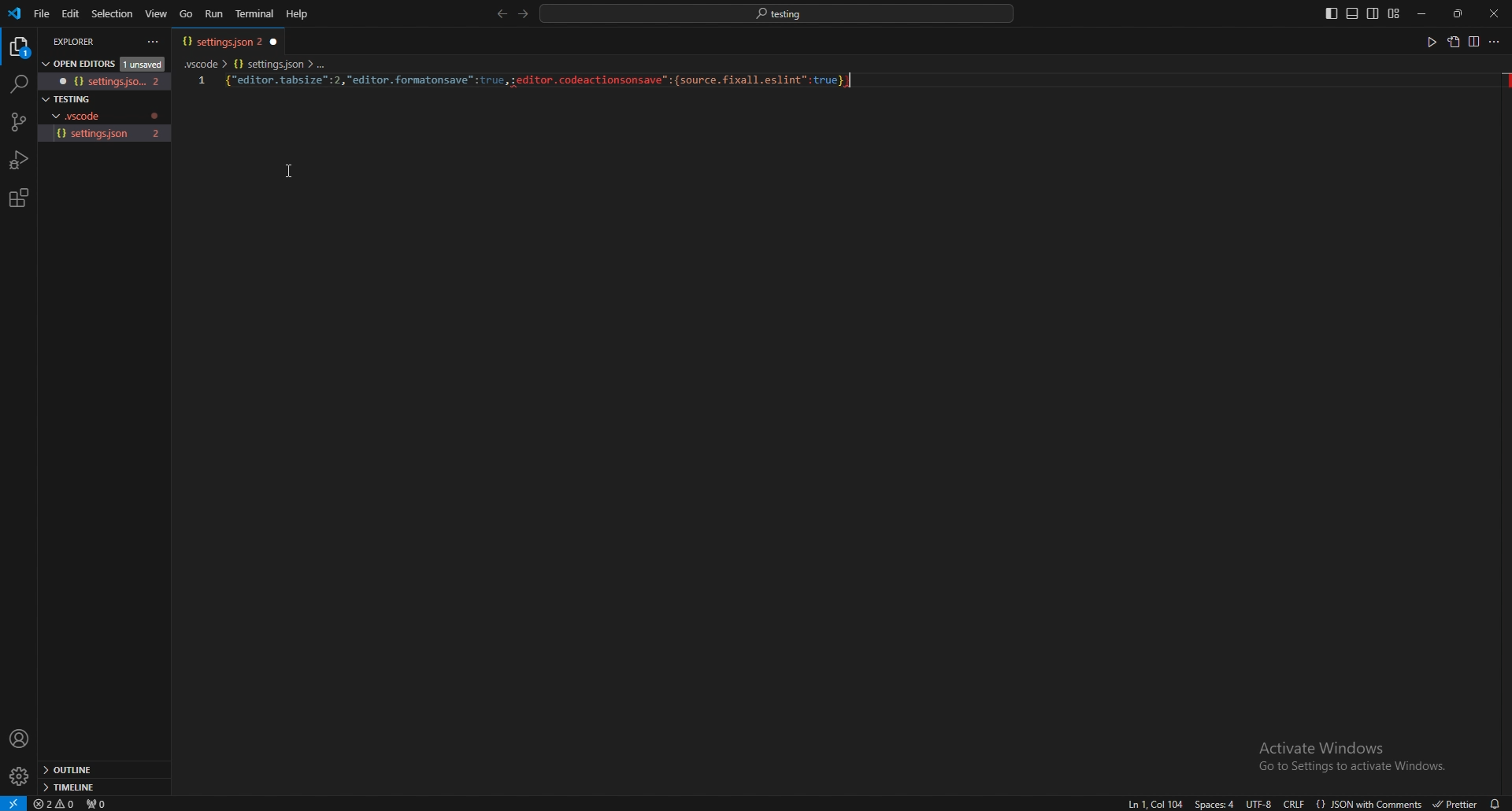 The width and height of the screenshot is (1512, 811). Describe the element at coordinates (291, 169) in the screenshot. I see `cursor` at that location.